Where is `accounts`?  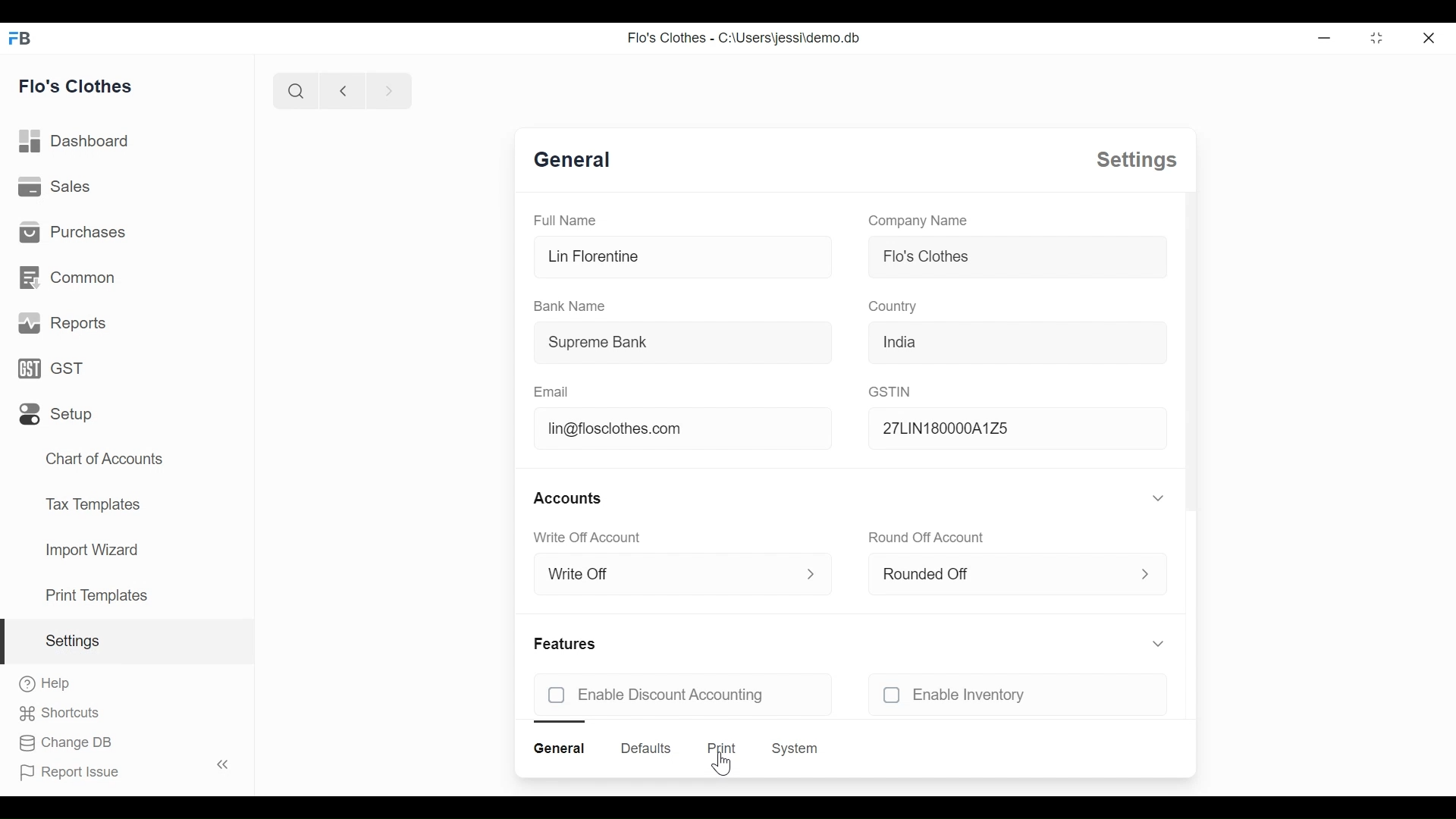
accounts is located at coordinates (569, 499).